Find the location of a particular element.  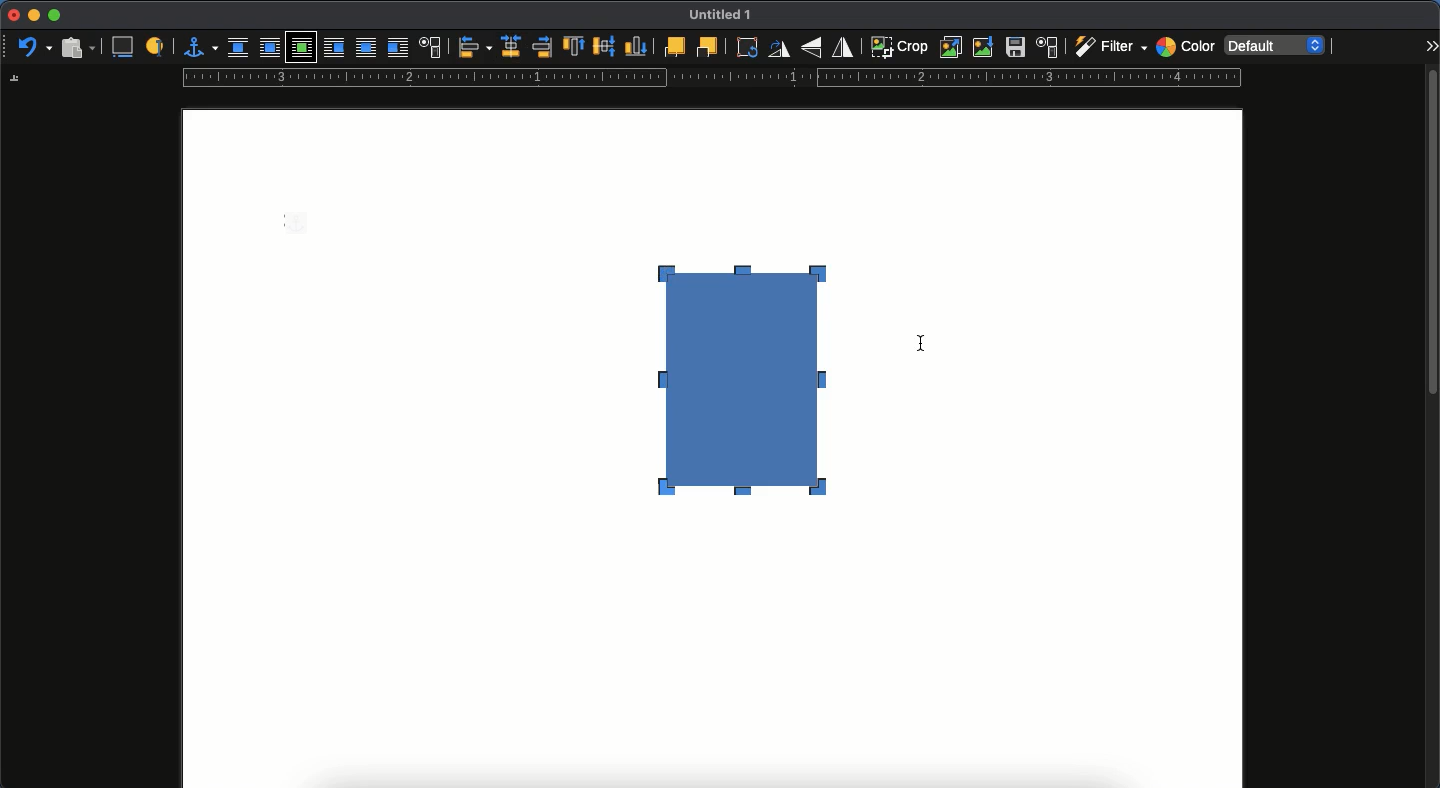

rotate 90 right is located at coordinates (779, 51).